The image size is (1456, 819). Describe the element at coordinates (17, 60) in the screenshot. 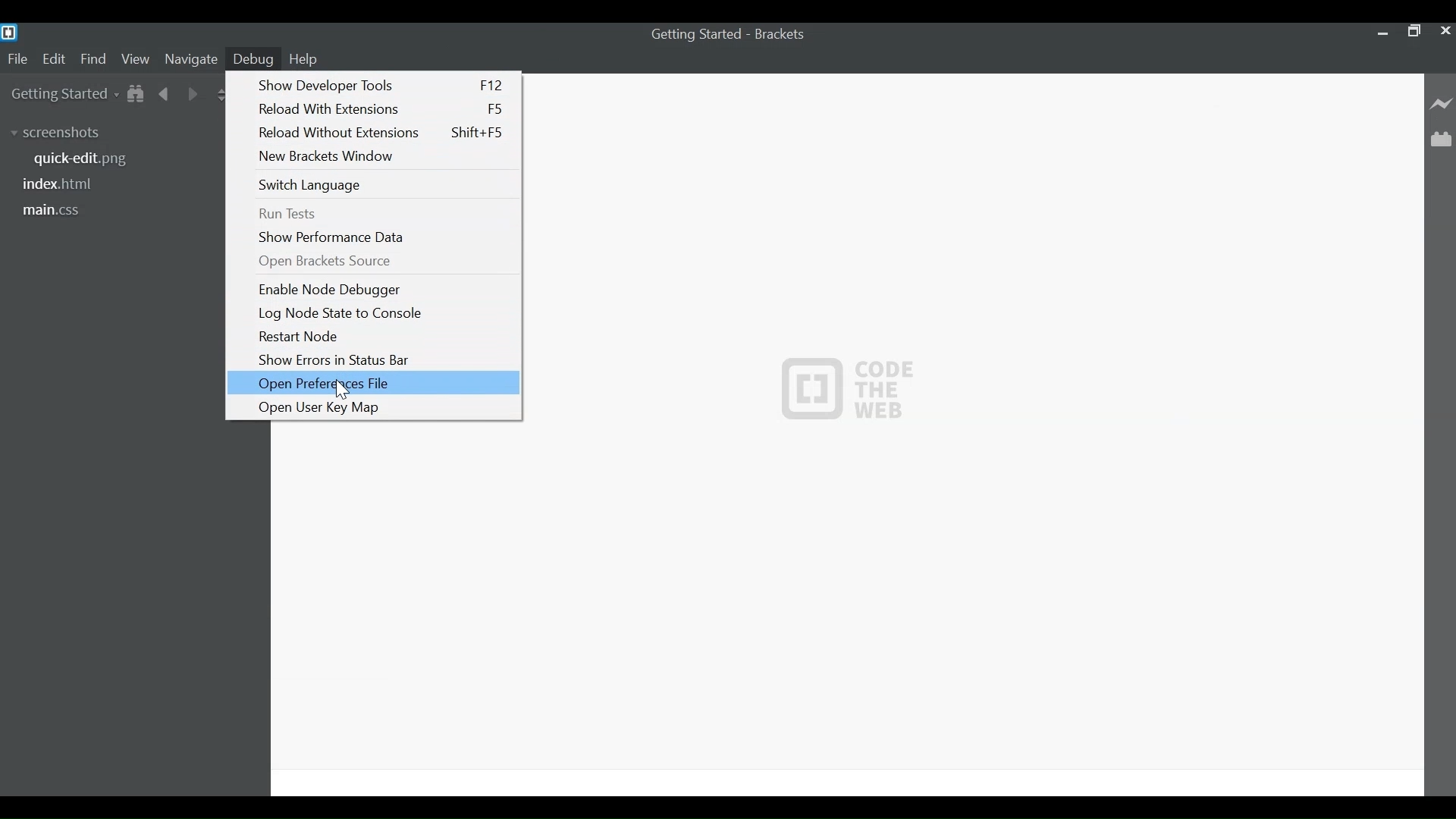

I see `File` at that location.